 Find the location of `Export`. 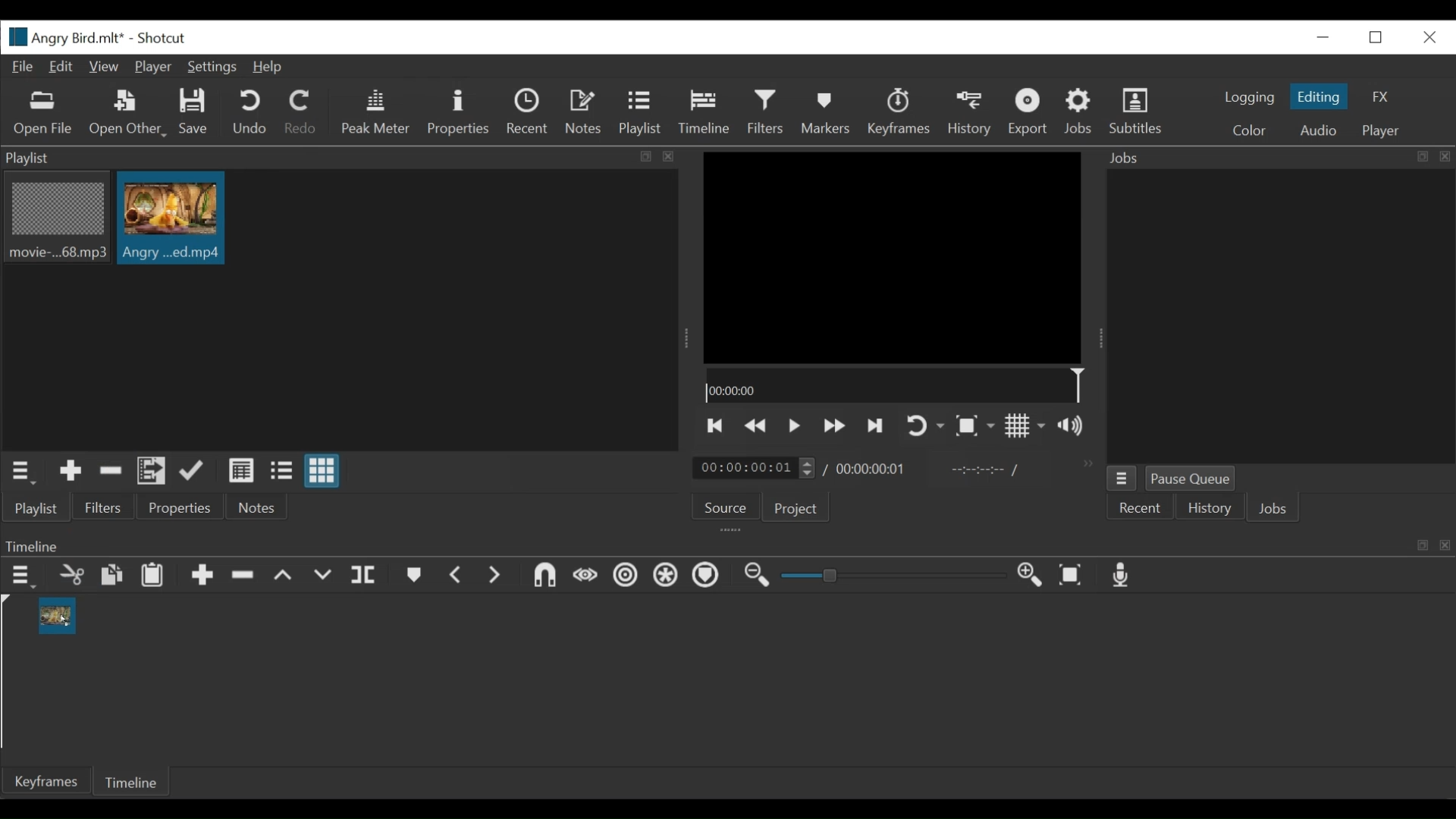

Export is located at coordinates (1028, 113).